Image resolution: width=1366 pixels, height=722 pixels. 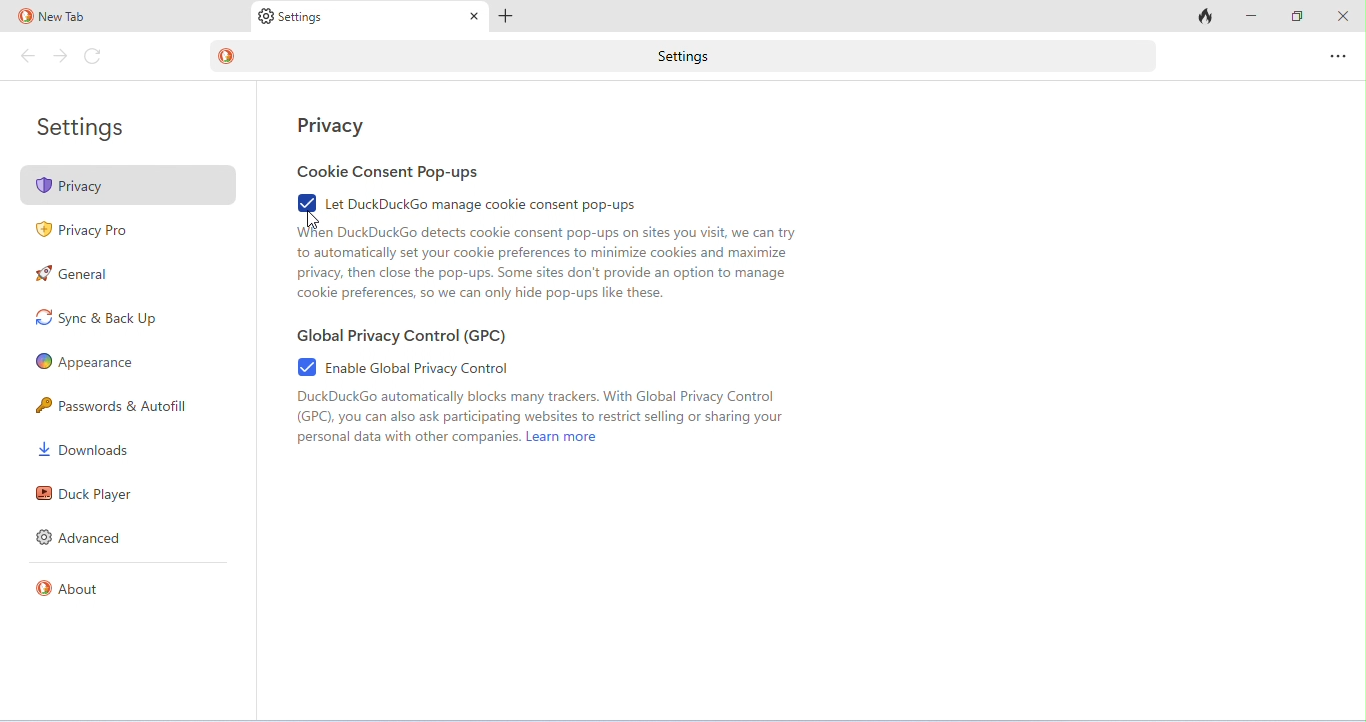 What do you see at coordinates (563, 437) in the screenshot?
I see `Learn more` at bounding box center [563, 437].